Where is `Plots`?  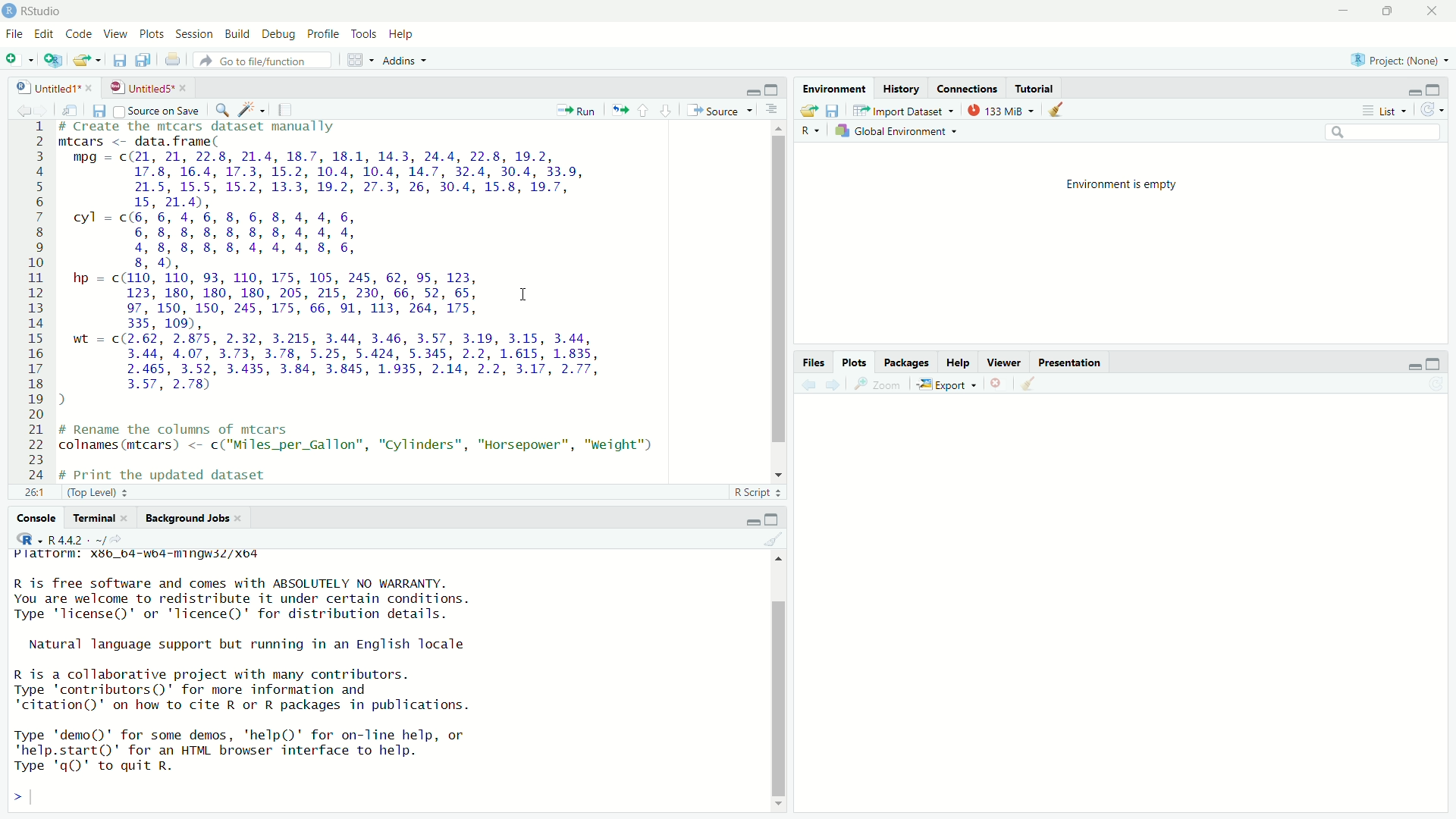 Plots is located at coordinates (855, 362).